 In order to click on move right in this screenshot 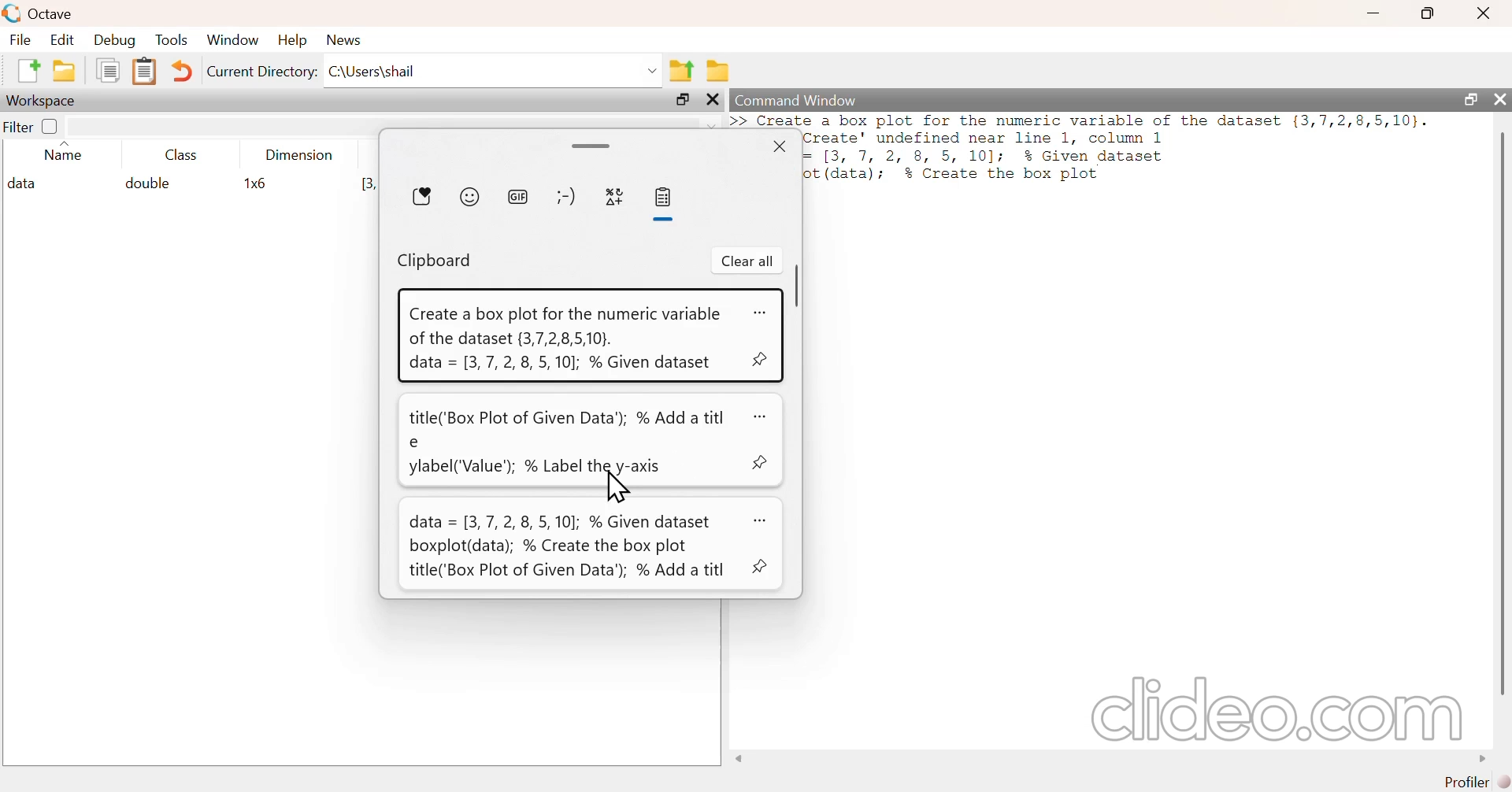, I will do `click(1477, 757)`.